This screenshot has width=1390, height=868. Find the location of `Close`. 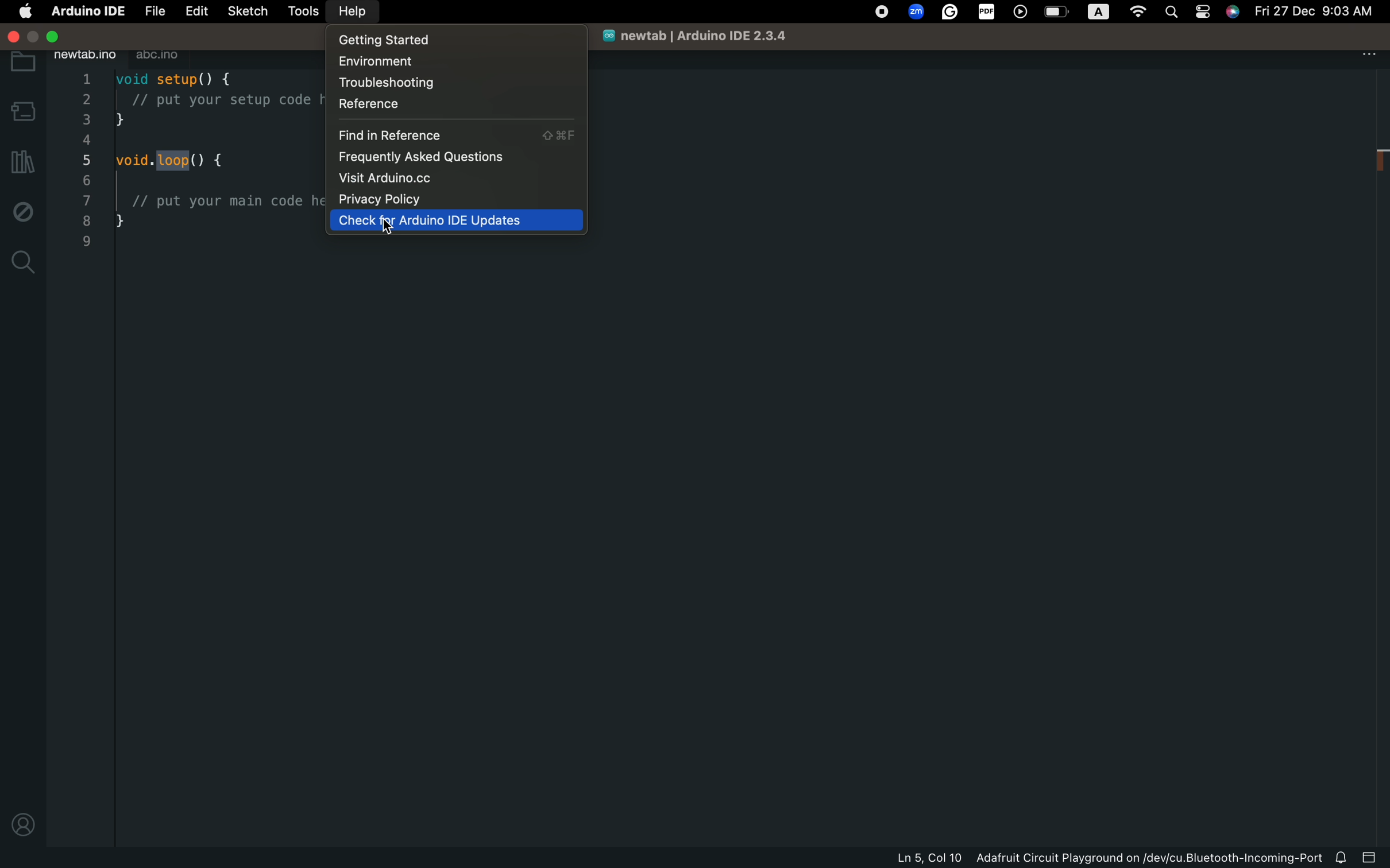

Close is located at coordinates (59, 34).